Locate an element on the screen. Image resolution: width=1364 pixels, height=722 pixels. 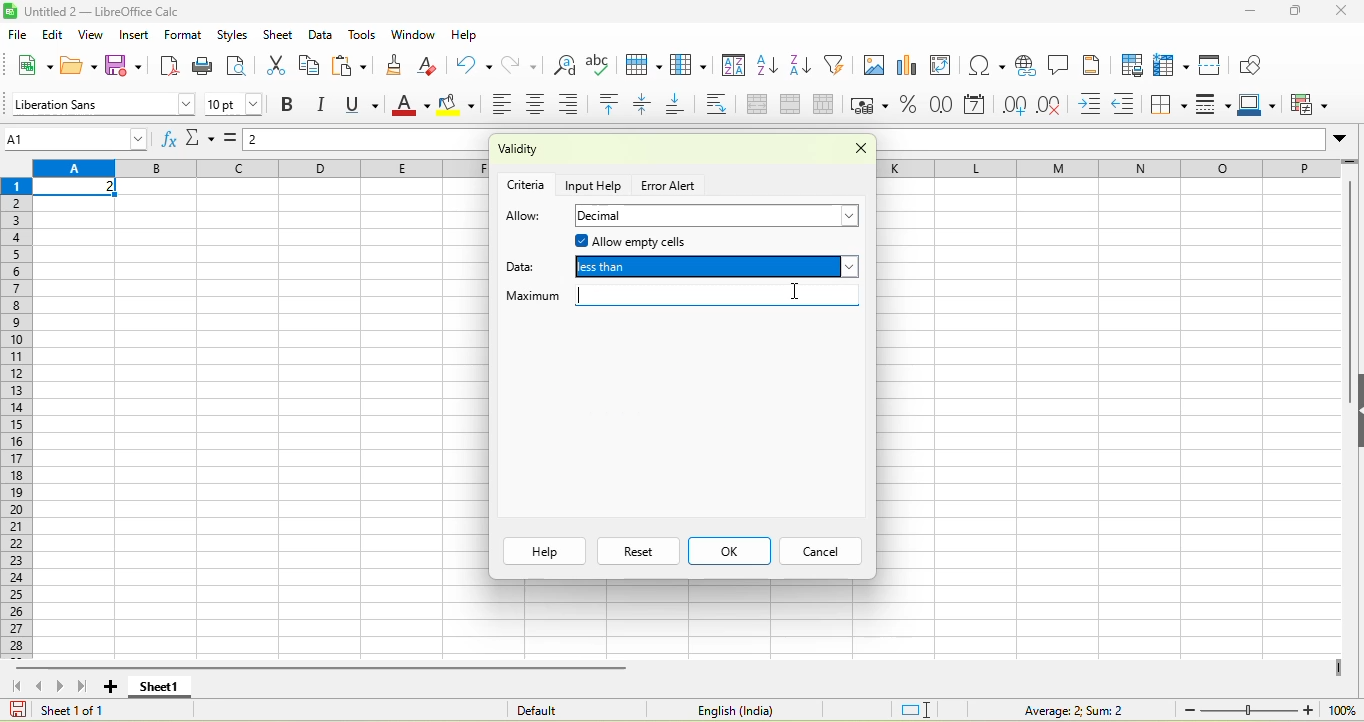
ok is located at coordinates (729, 551).